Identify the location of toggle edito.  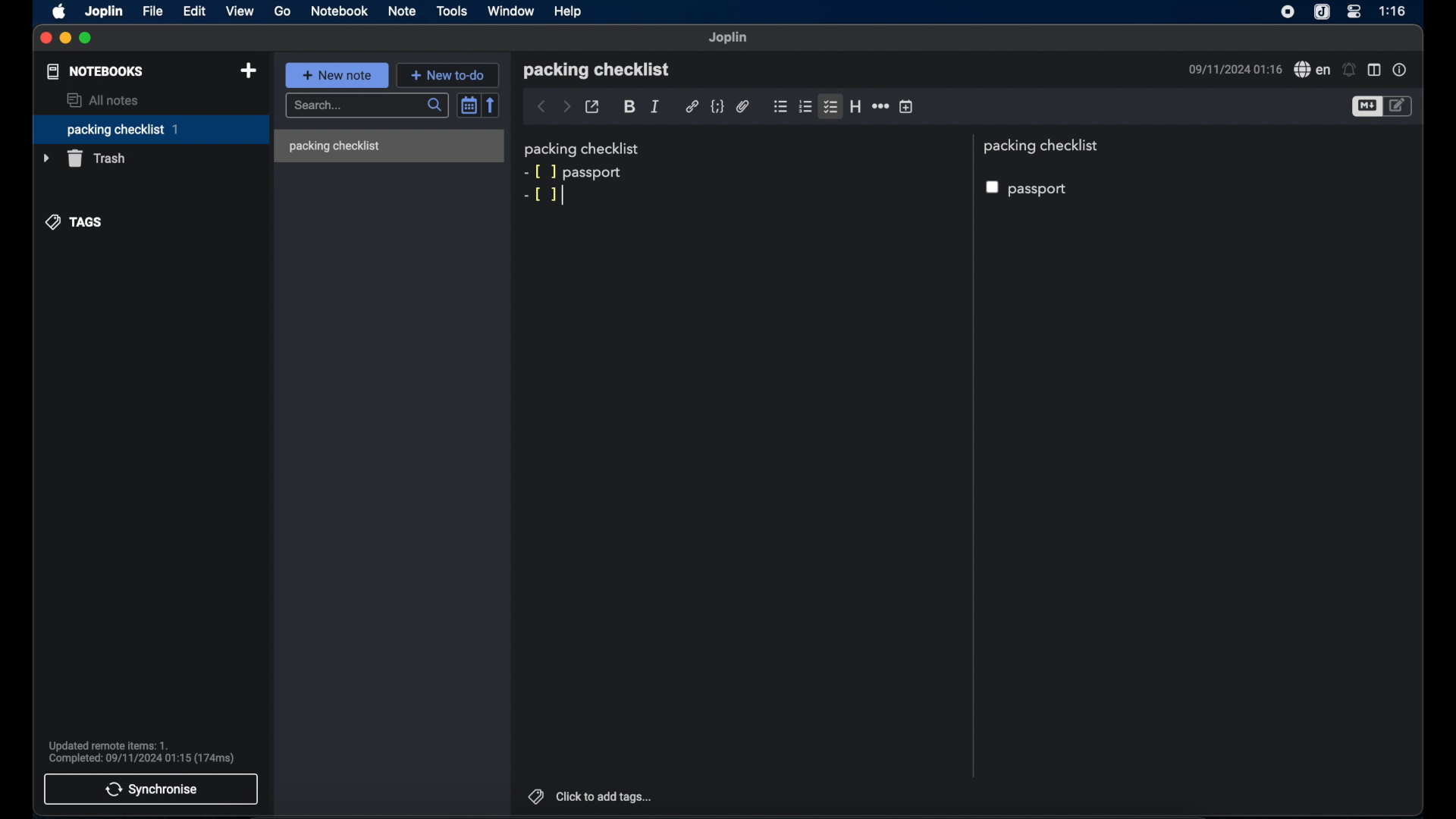
(1399, 107).